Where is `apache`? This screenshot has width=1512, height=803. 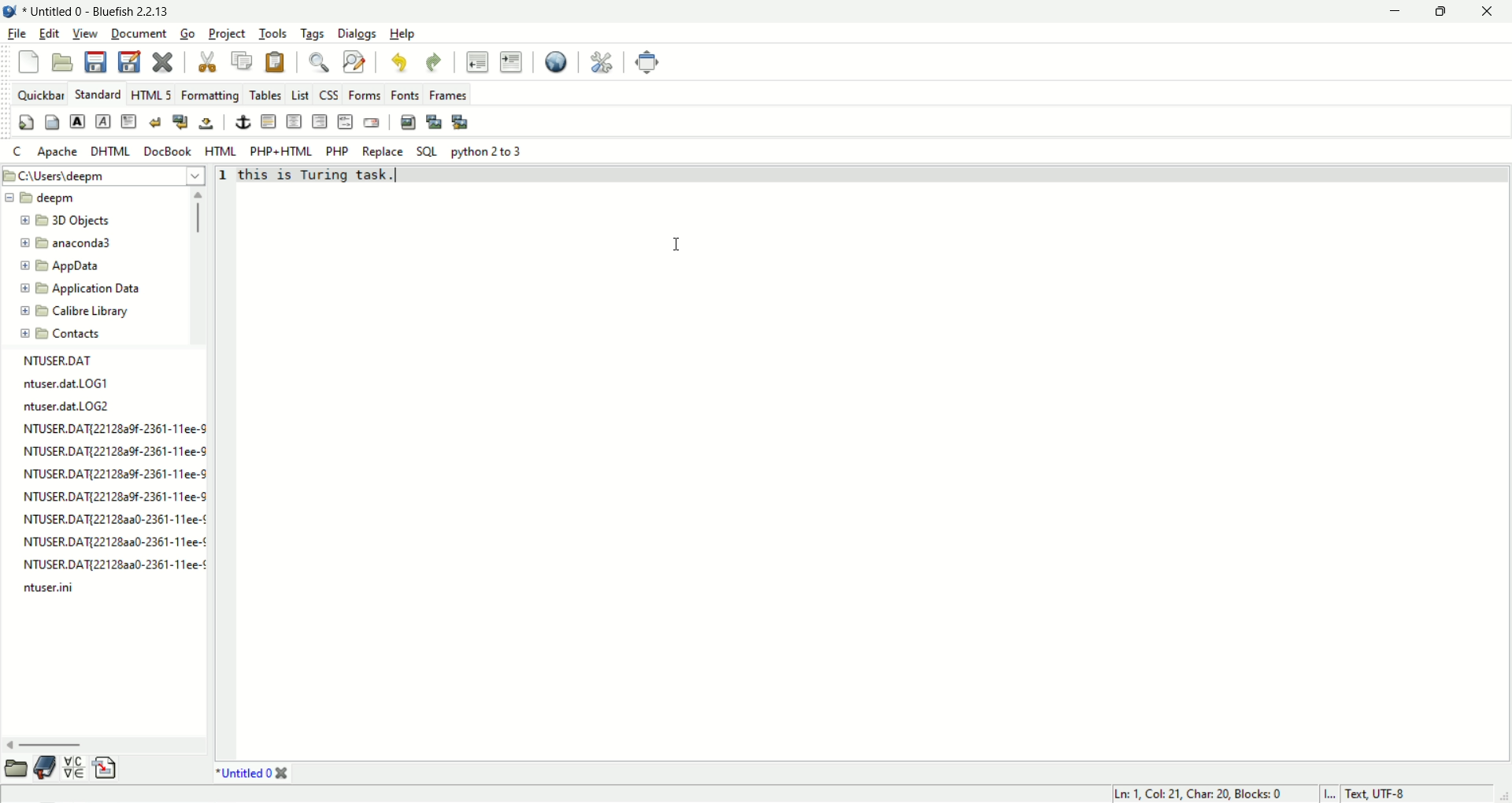 apache is located at coordinates (58, 151).